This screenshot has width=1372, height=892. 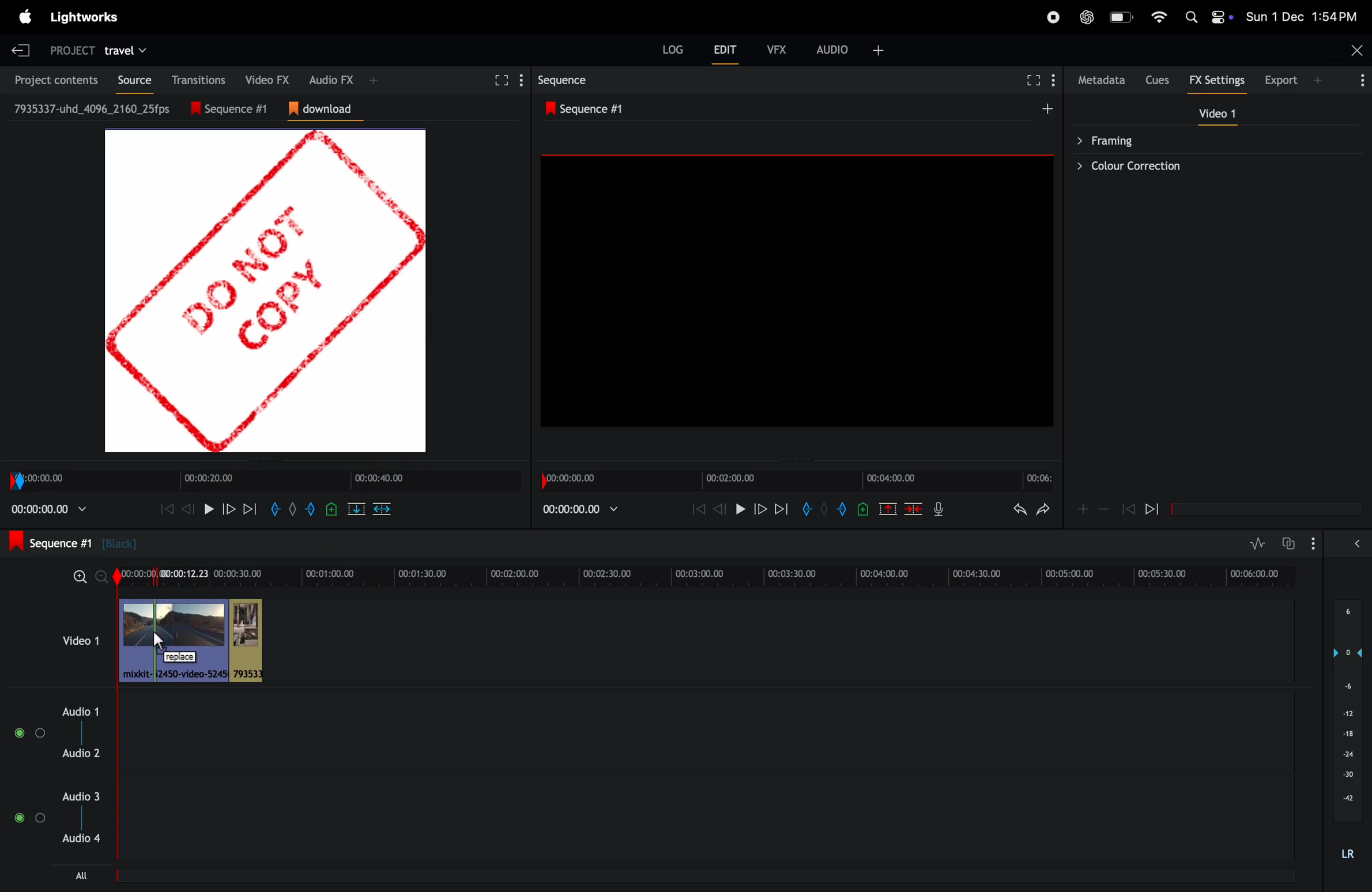 I want to click on Previous frame, so click(x=167, y=509).